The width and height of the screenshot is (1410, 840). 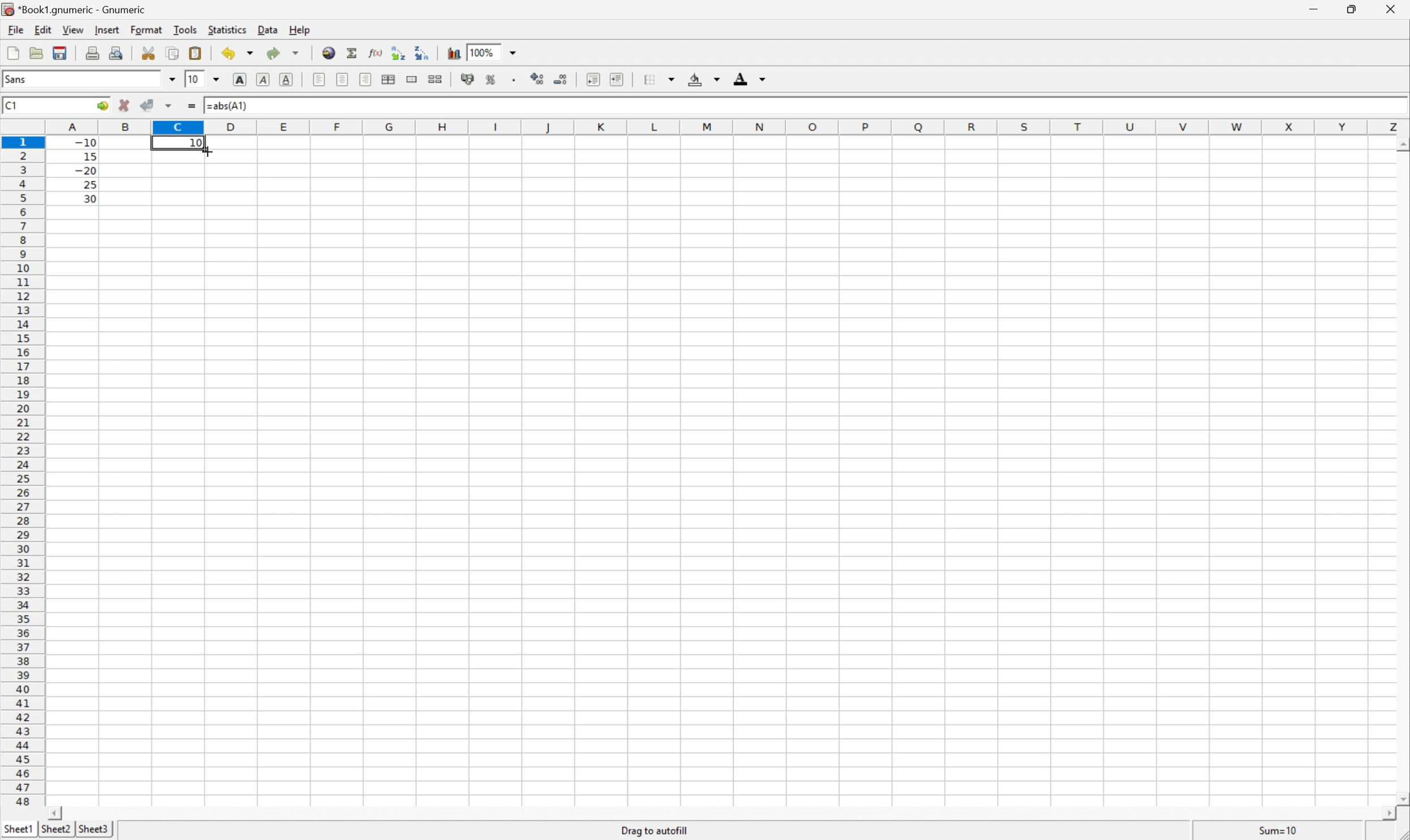 What do you see at coordinates (353, 53) in the screenshot?
I see `Sum into the current cell` at bounding box center [353, 53].